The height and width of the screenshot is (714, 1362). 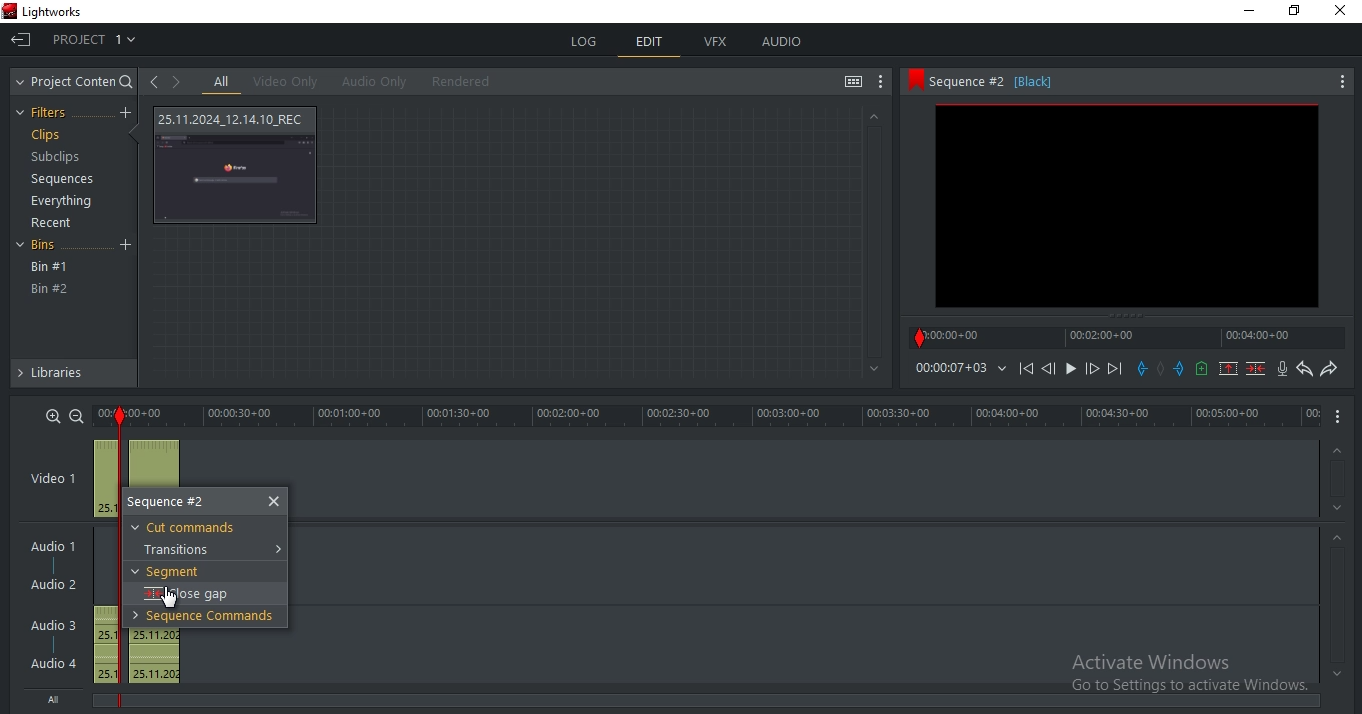 I want to click on Exit, so click(x=21, y=38).